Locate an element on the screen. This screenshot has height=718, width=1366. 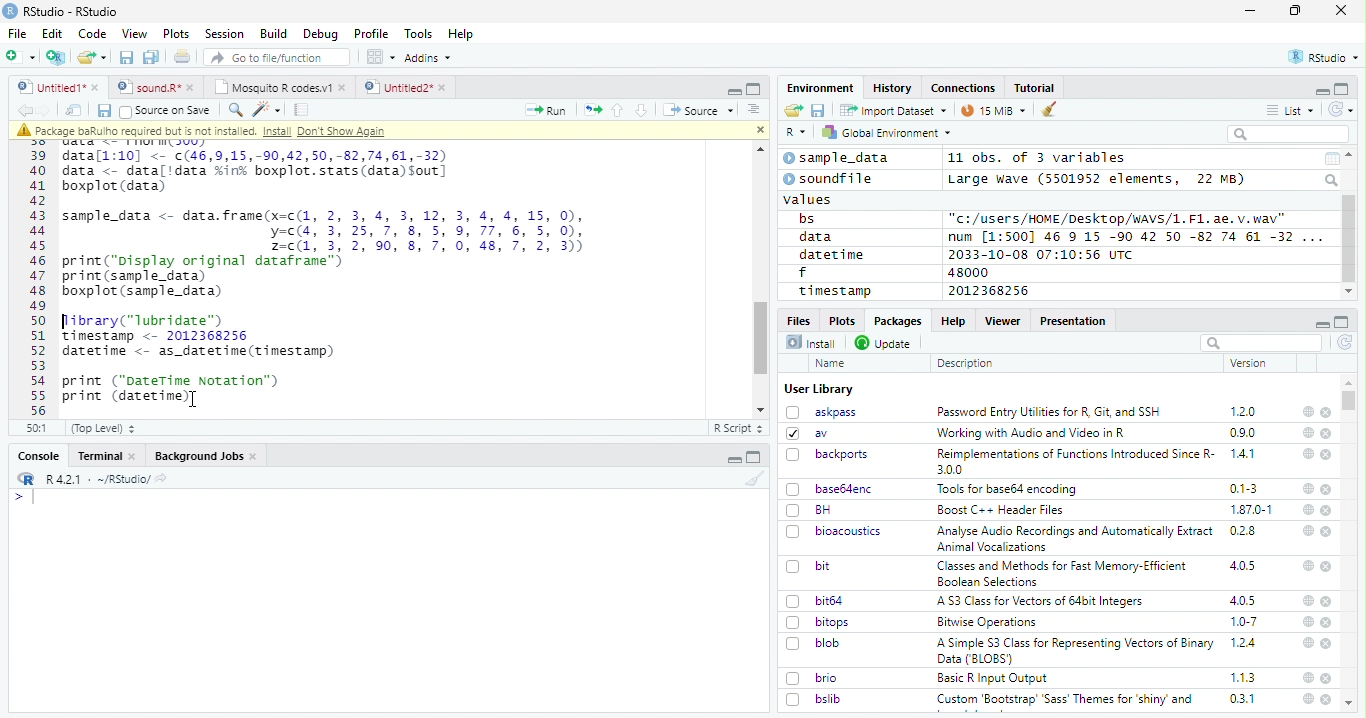
bslib is located at coordinates (814, 698).